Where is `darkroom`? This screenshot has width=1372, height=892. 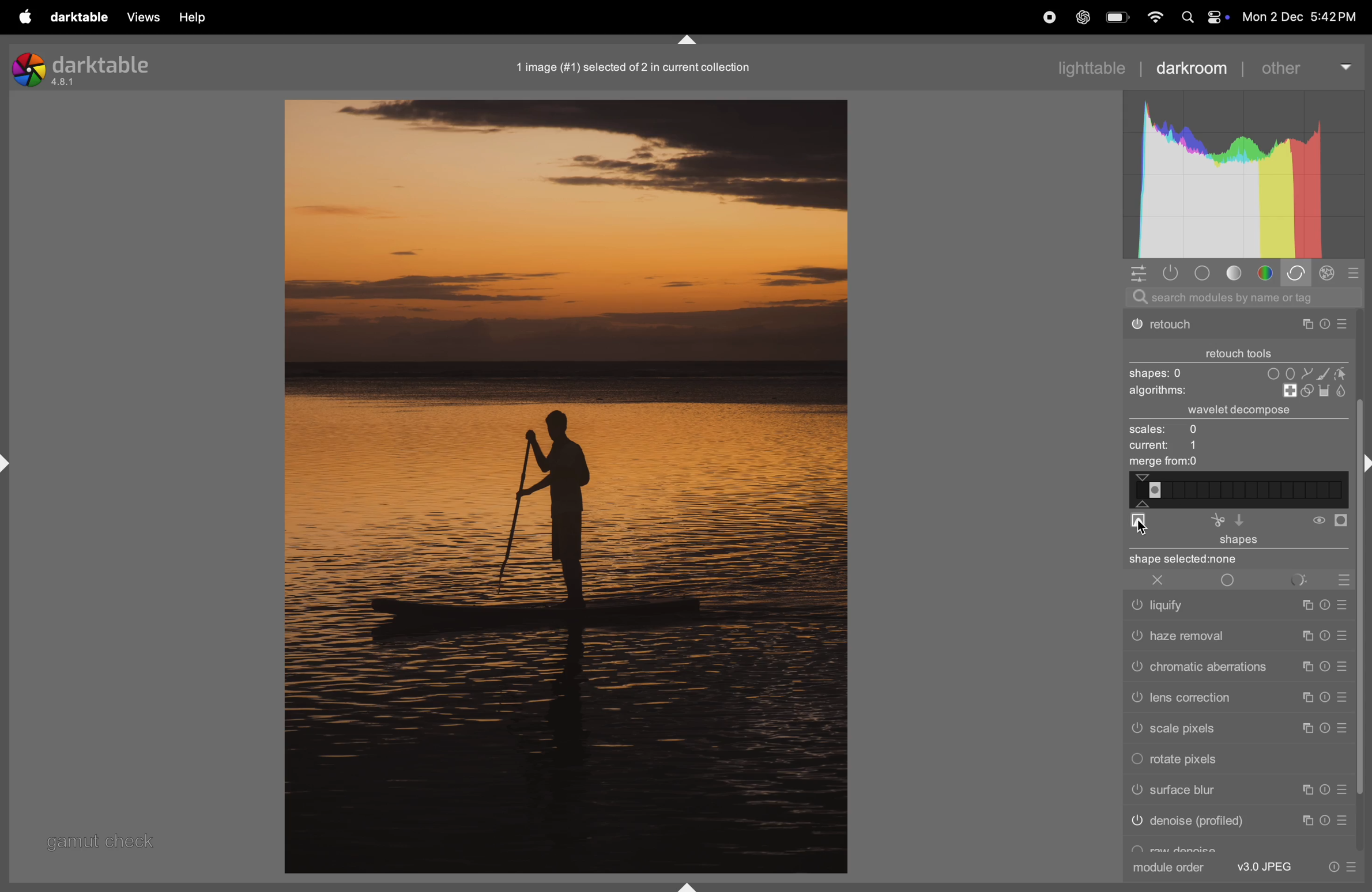
darkroom is located at coordinates (1192, 68).